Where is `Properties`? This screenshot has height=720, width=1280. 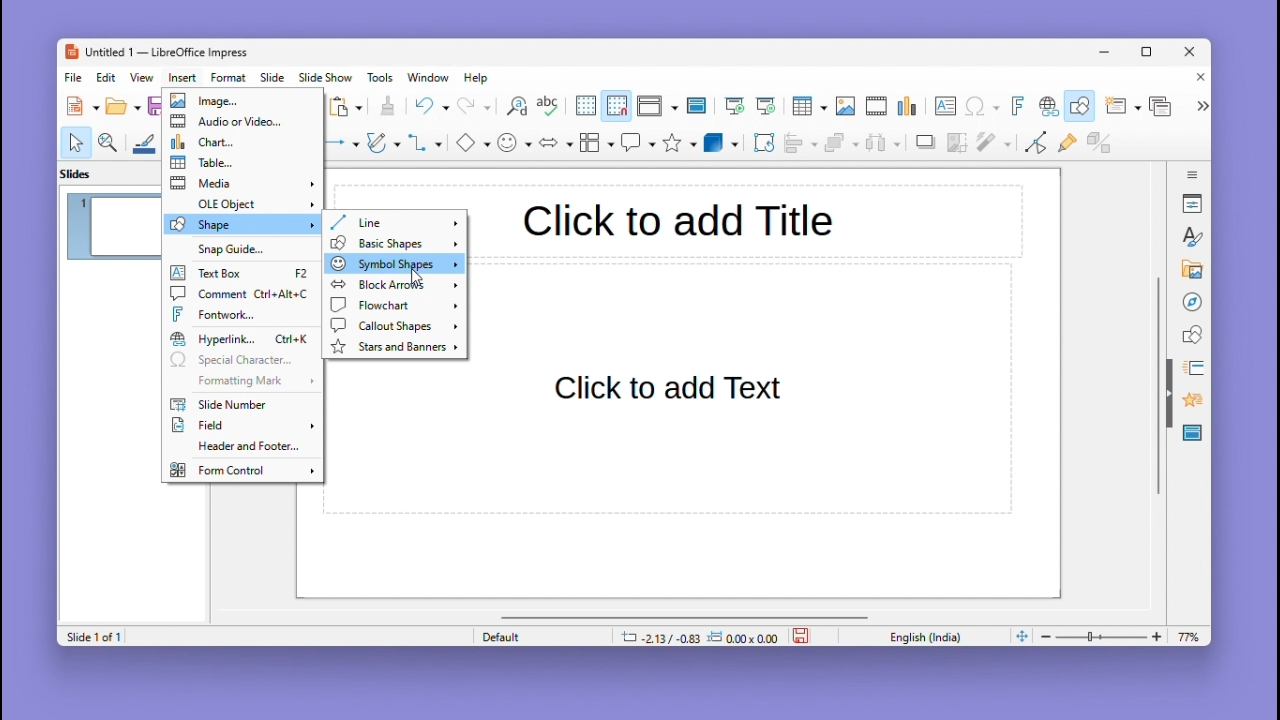 Properties is located at coordinates (1194, 203).